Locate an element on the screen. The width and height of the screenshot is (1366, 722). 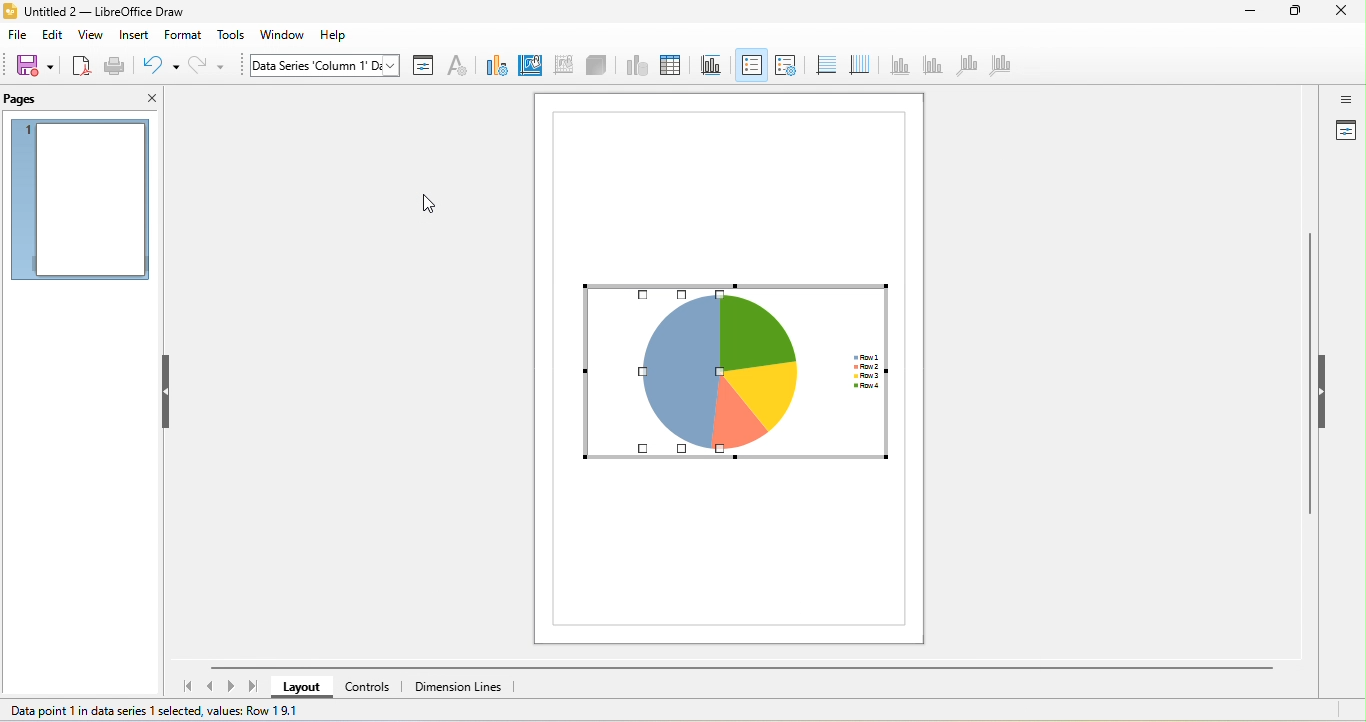
minimize is located at coordinates (1249, 13).